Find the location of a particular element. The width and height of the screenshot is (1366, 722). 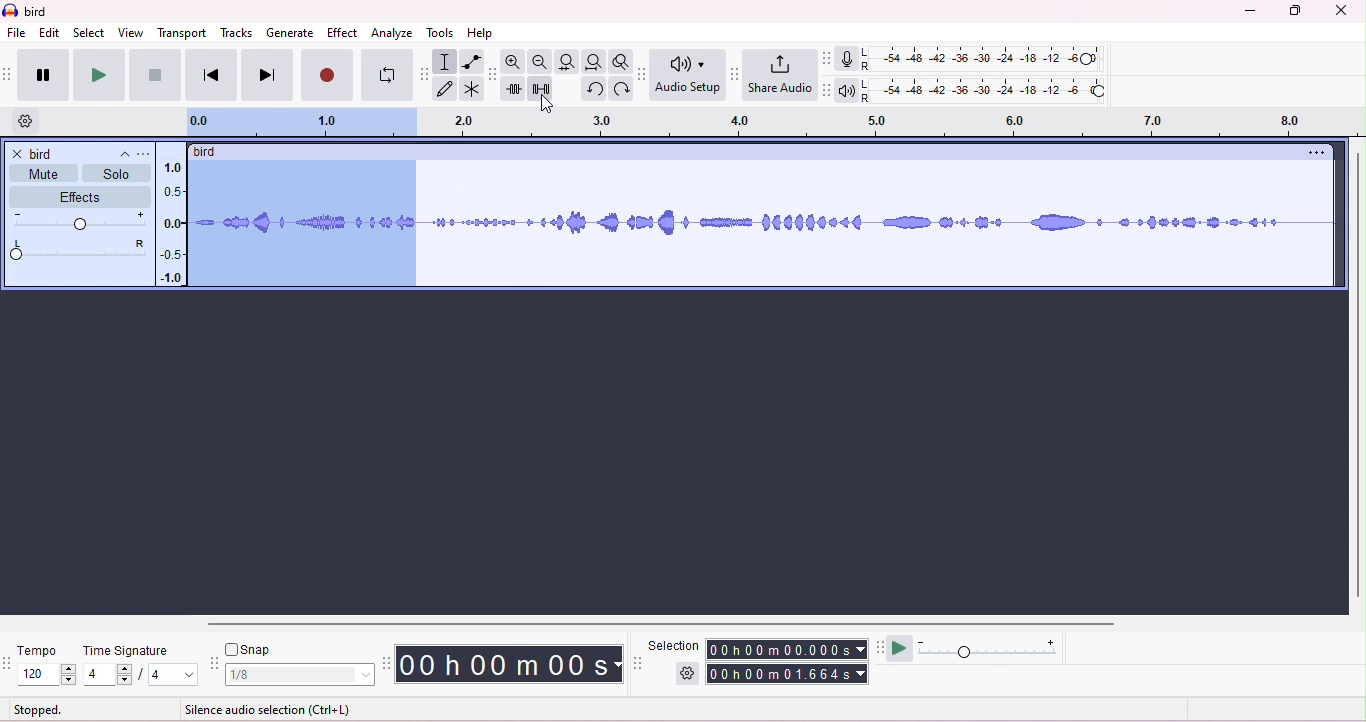

share audio is located at coordinates (783, 75).